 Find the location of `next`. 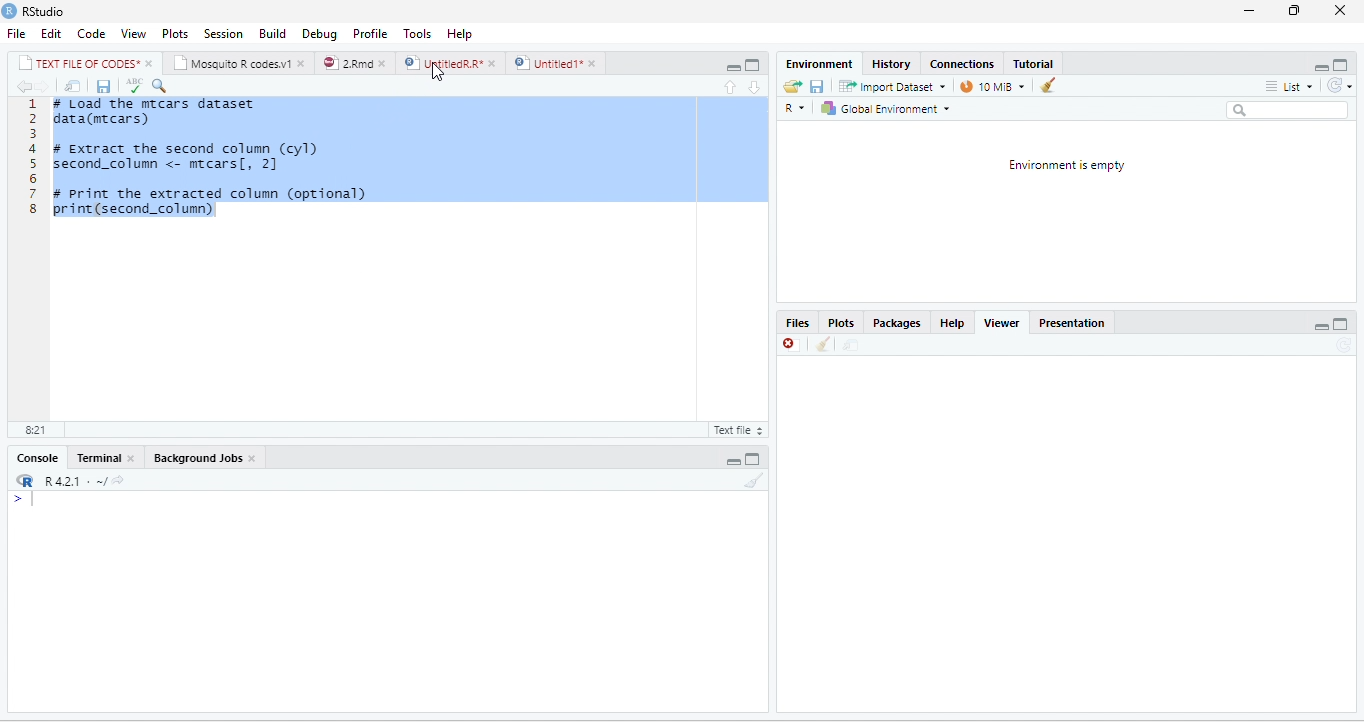

next is located at coordinates (46, 87).